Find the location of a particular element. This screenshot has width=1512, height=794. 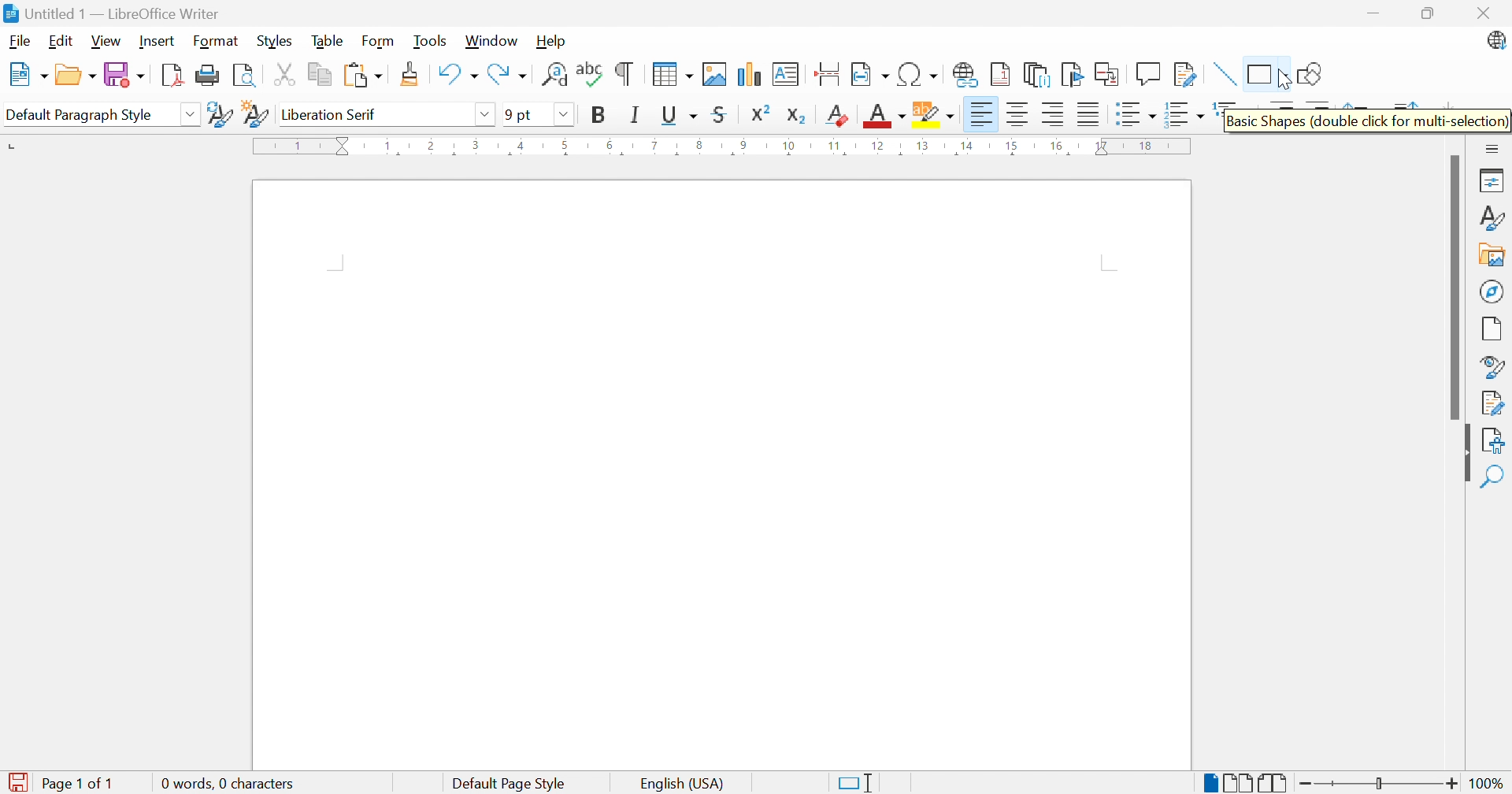

Find and replace is located at coordinates (553, 74).